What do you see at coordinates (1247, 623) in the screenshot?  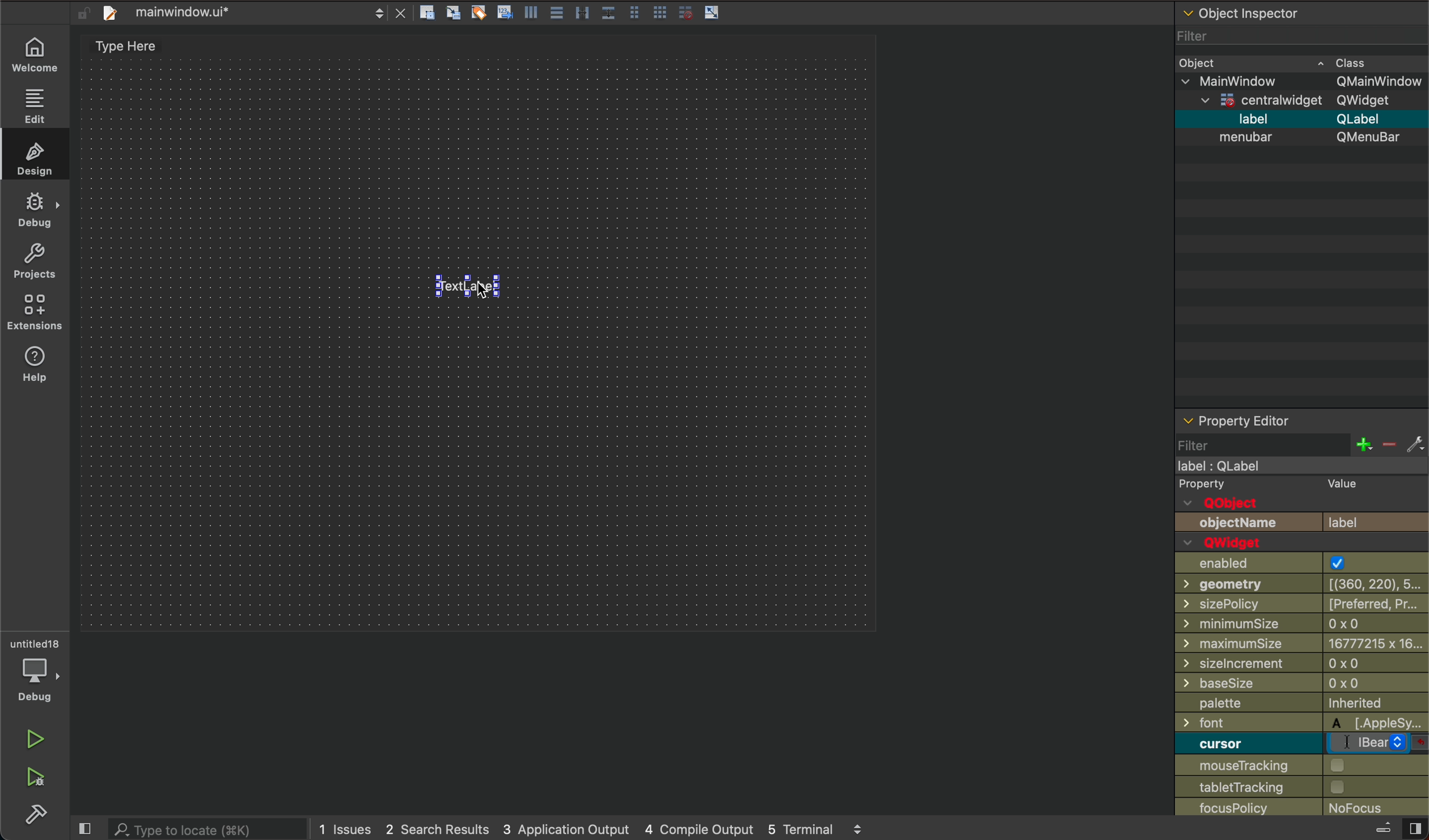 I see `minimumSize` at bounding box center [1247, 623].